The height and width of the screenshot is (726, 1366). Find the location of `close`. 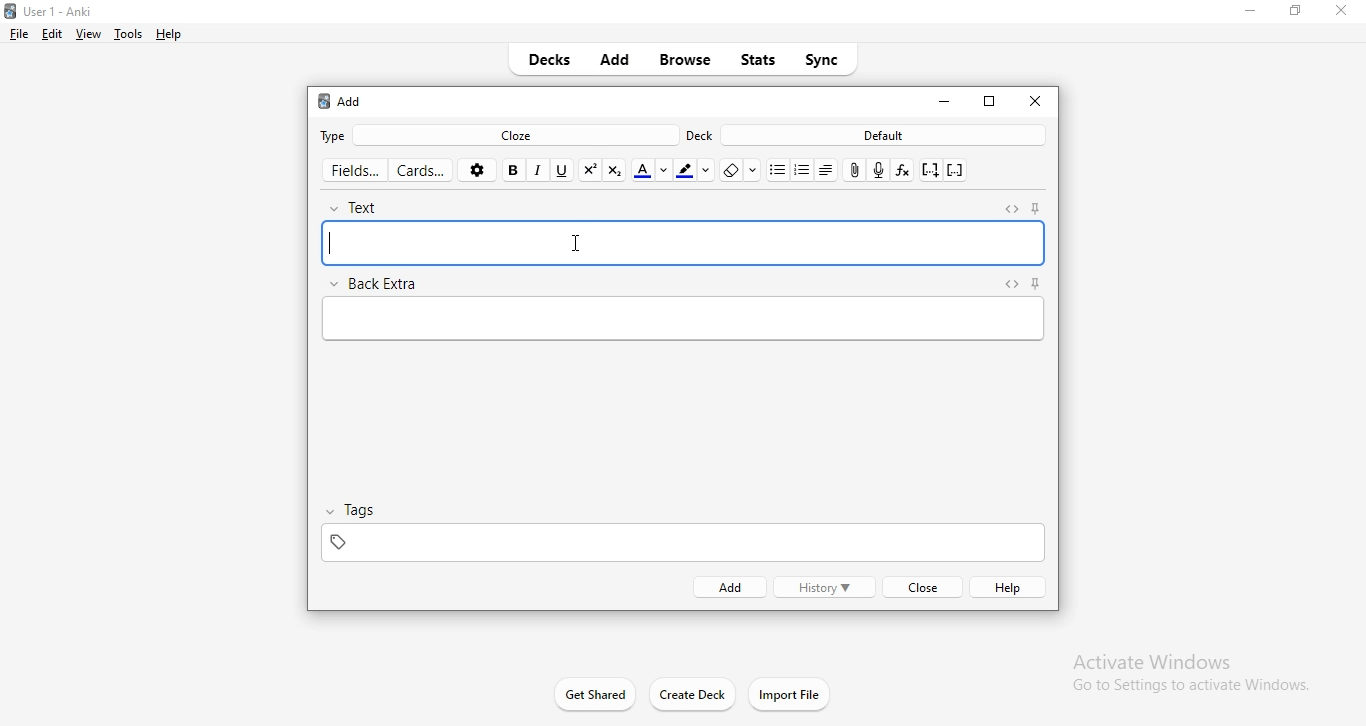

close is located at coordinates (1034, 100).